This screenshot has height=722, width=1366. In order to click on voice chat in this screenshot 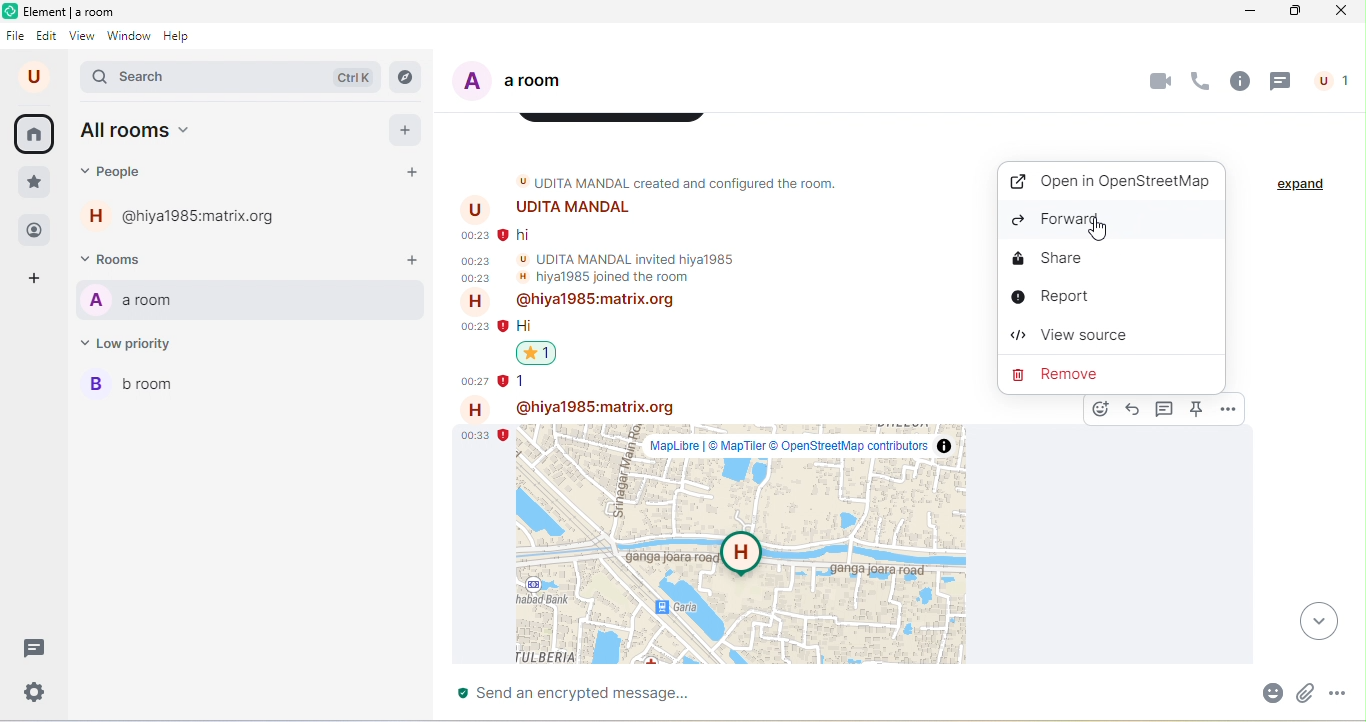, I will do `click(1200, 80)`.